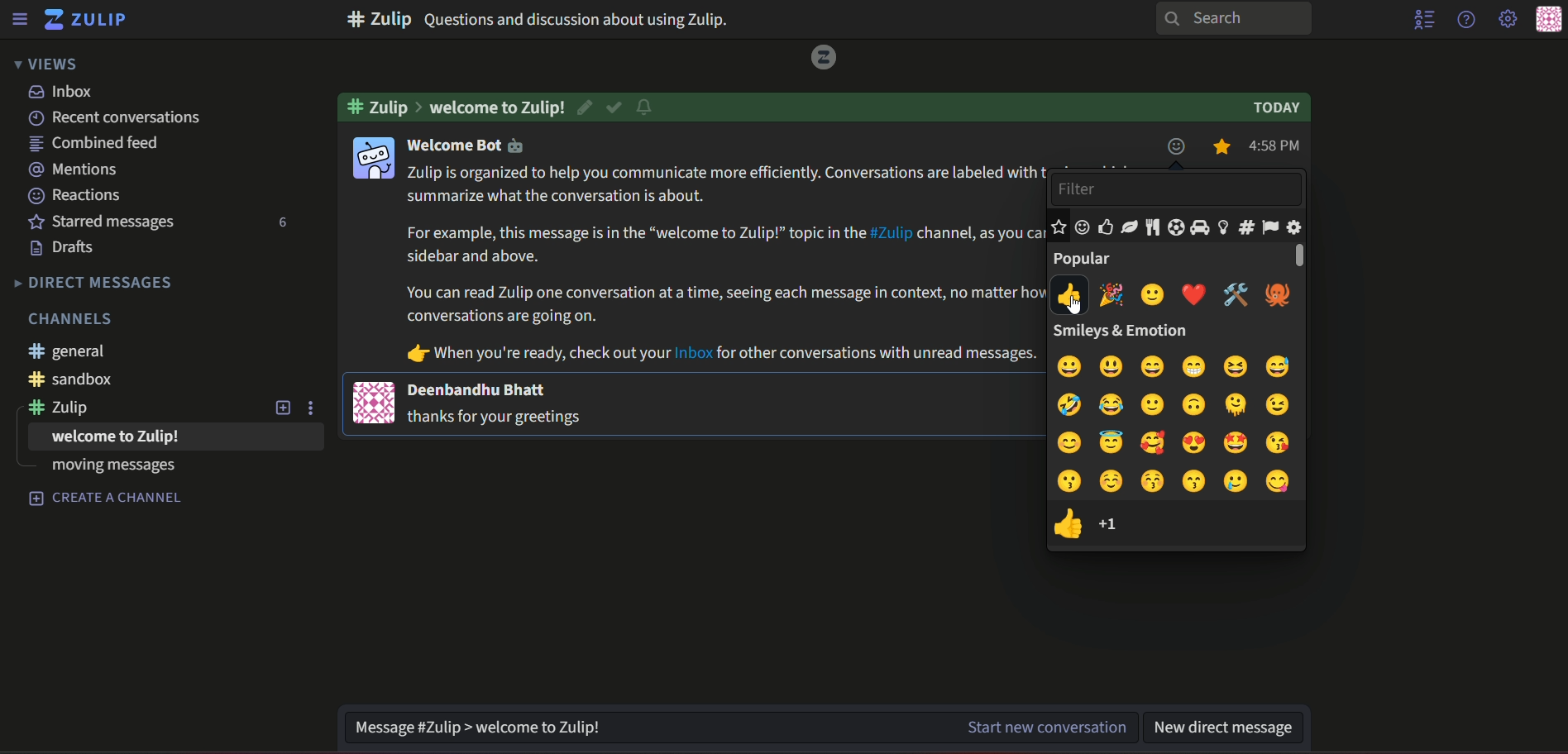 The width and height of the screenshot is (1568, 754). What do you see at coordinates (74, 167) in the screenshot?
I see `Mentions` at bounding box center [74, 167].